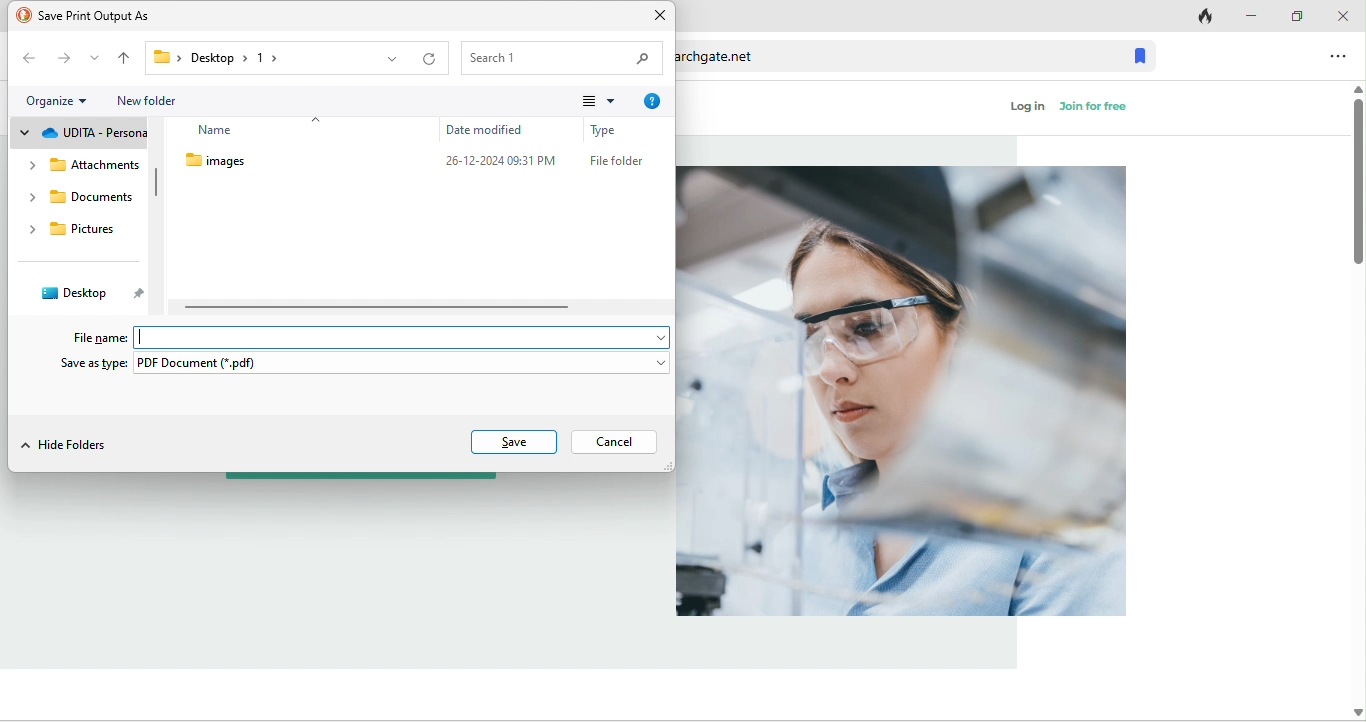 The image size is (1366, 722). I want to click on vertical scroll bar, so click(156, 182).